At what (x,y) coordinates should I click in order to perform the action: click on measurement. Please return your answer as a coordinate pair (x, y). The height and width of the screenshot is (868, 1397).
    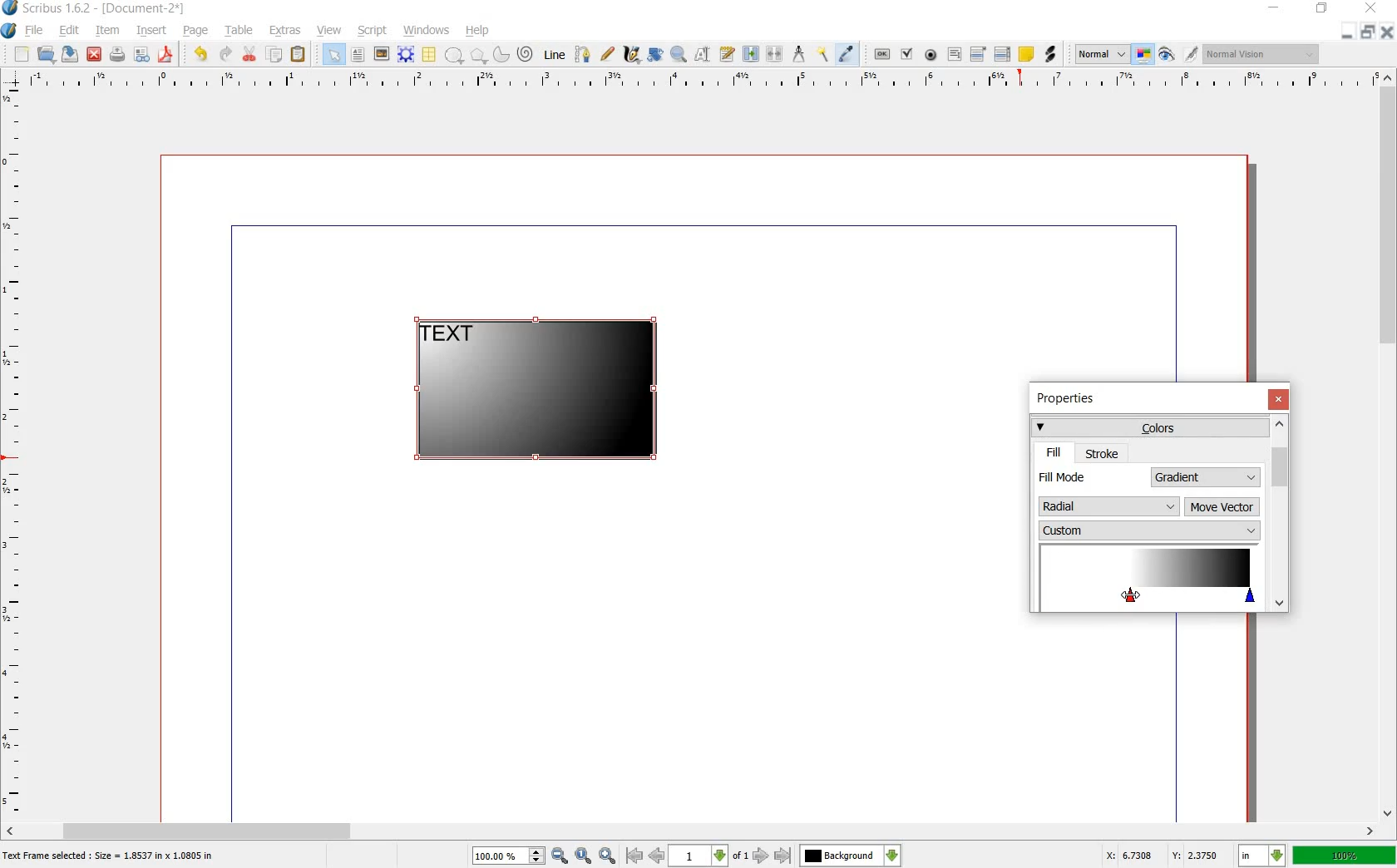
    Looking at the image, I should click on (800, 53).